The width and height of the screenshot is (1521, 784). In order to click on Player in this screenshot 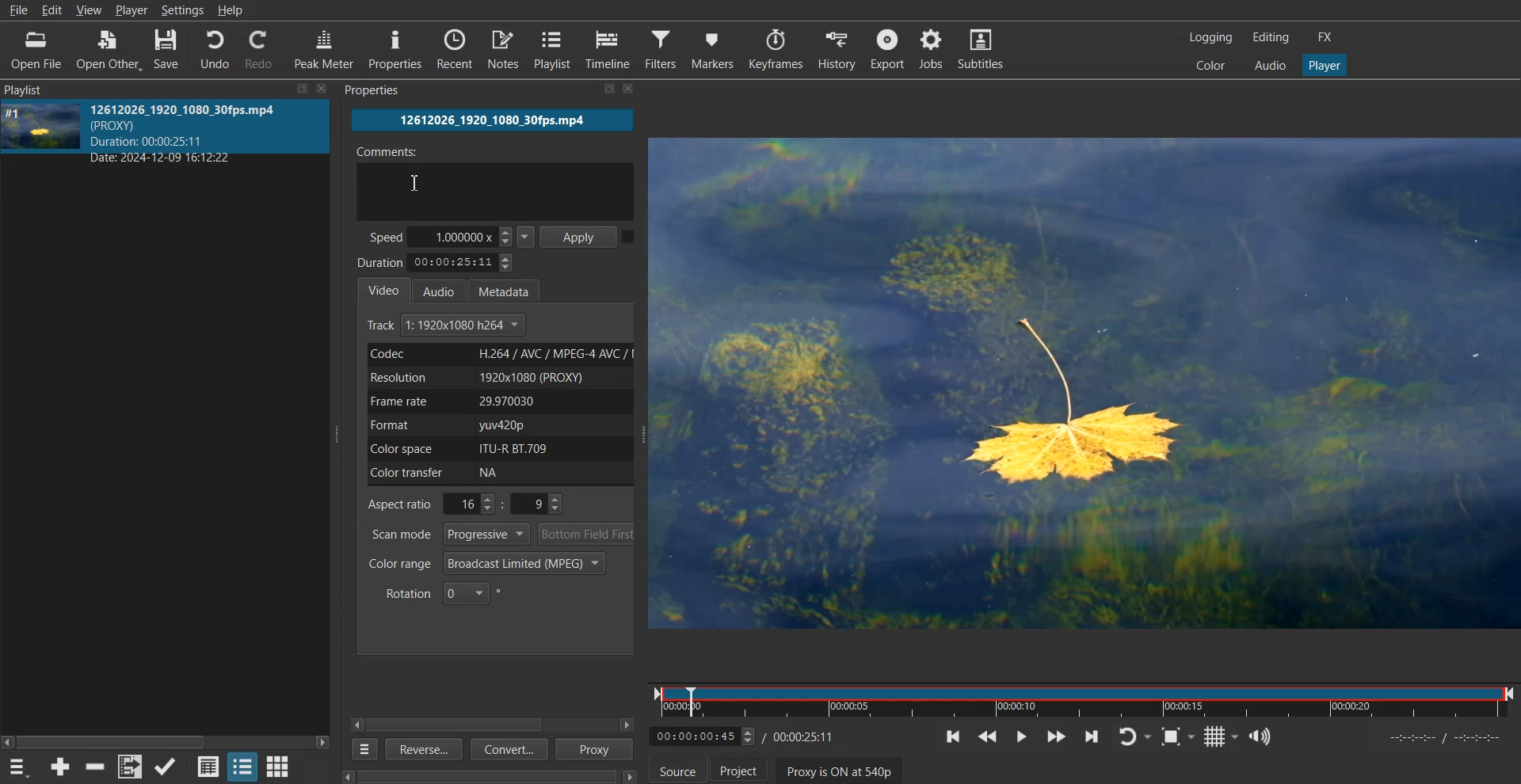, I will do `click(132, 11)`.